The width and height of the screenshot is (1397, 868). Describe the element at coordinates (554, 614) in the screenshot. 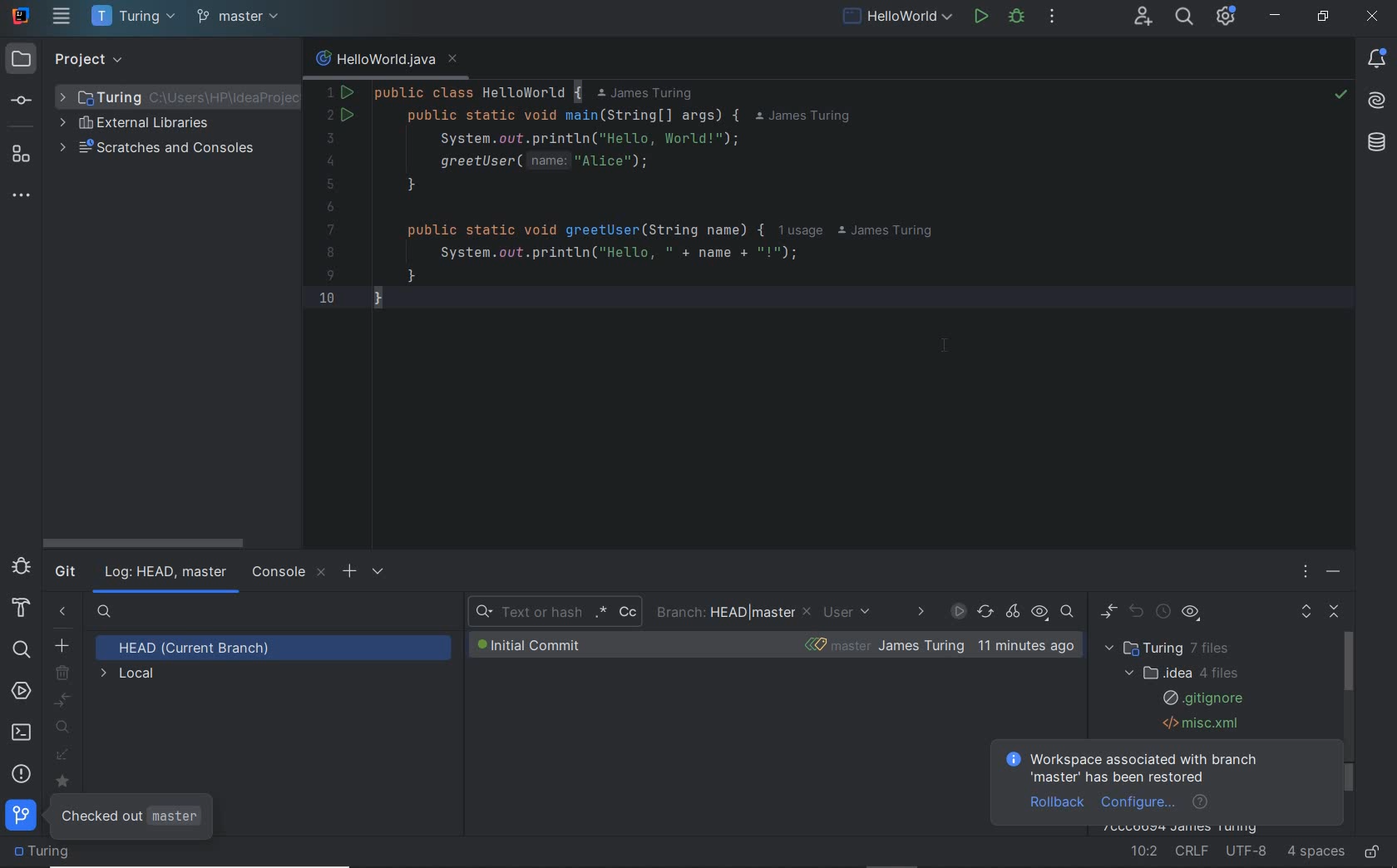

I see `RECENT SEARCH` at that location.